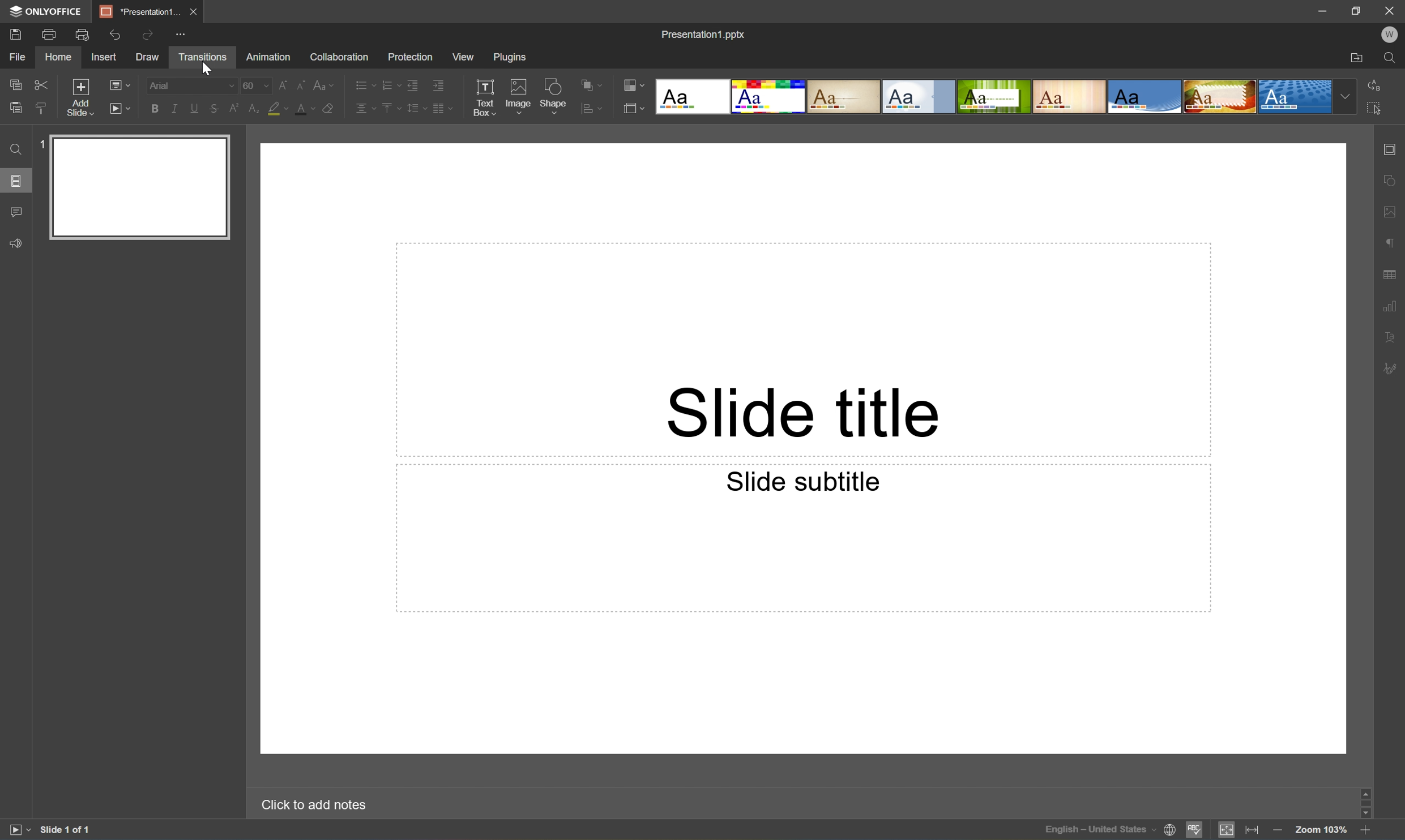 Image resolution: width=1405 pixels, height=840 pixels. What do you see at coordinates (1391, 149) in the screenshot?
I see `Slide settings` at bounding box center [1391, 149].